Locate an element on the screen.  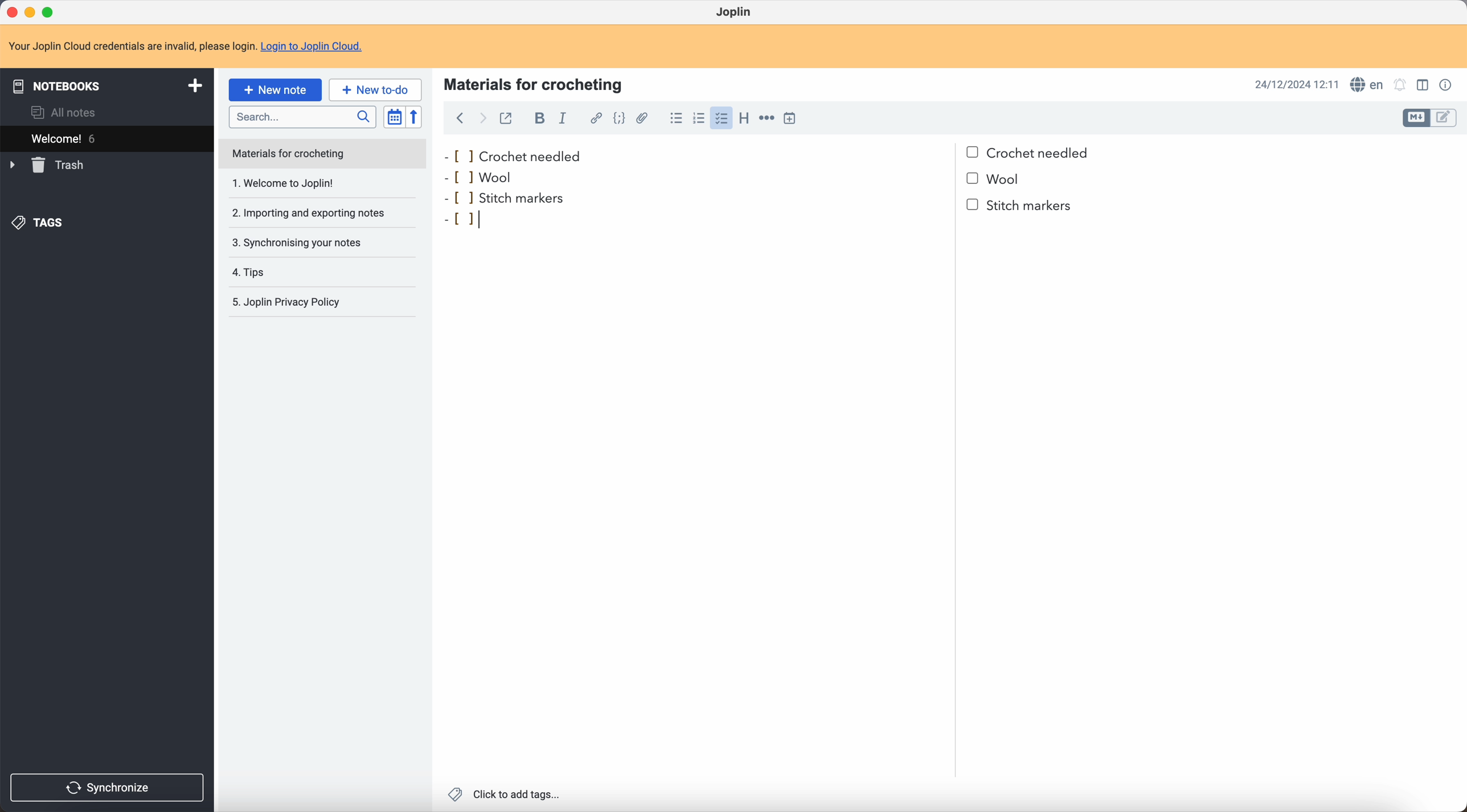
back is located at coordinates (460, 120).